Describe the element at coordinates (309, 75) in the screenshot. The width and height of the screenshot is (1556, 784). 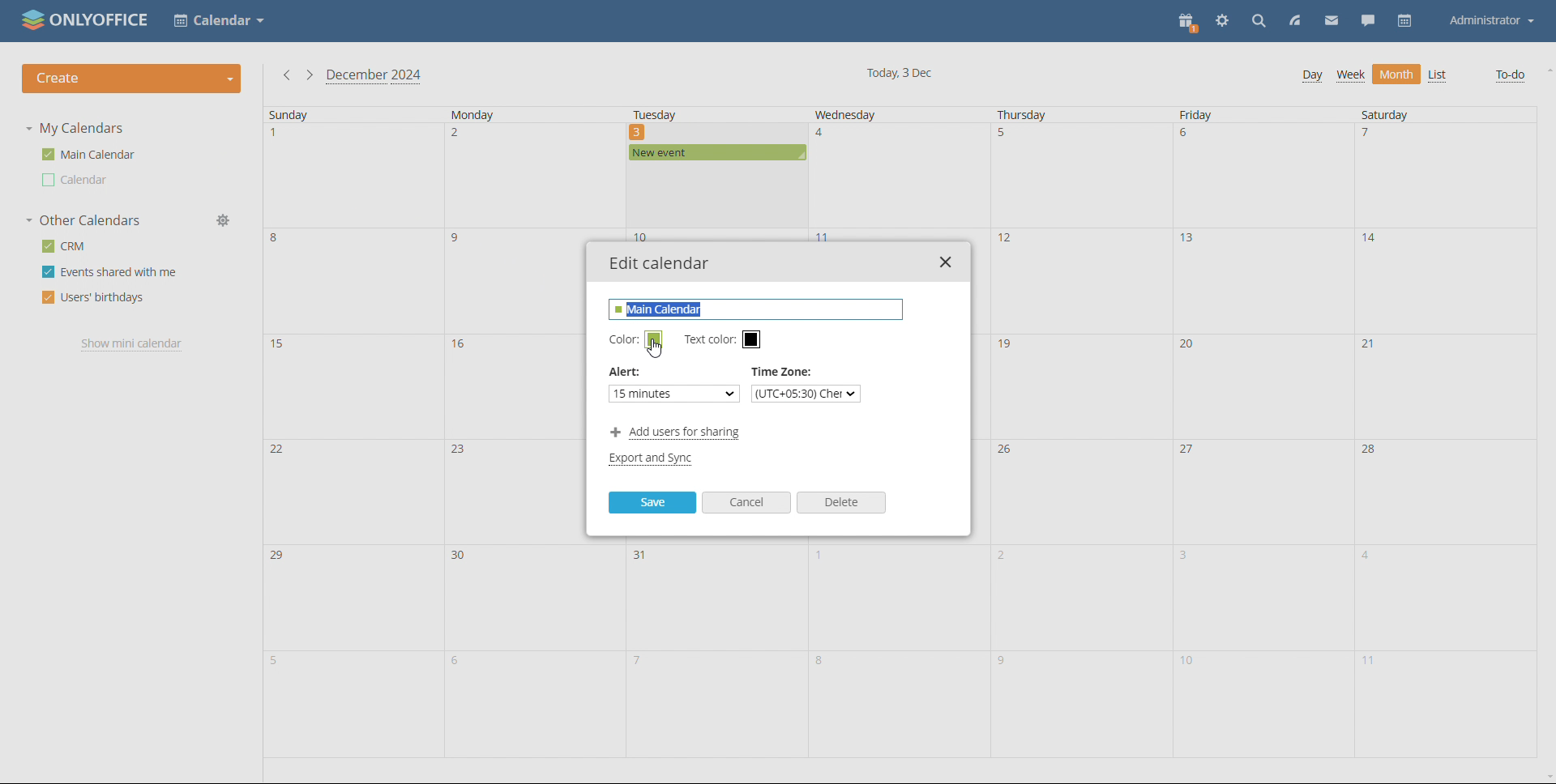
I see `next month` at that location.